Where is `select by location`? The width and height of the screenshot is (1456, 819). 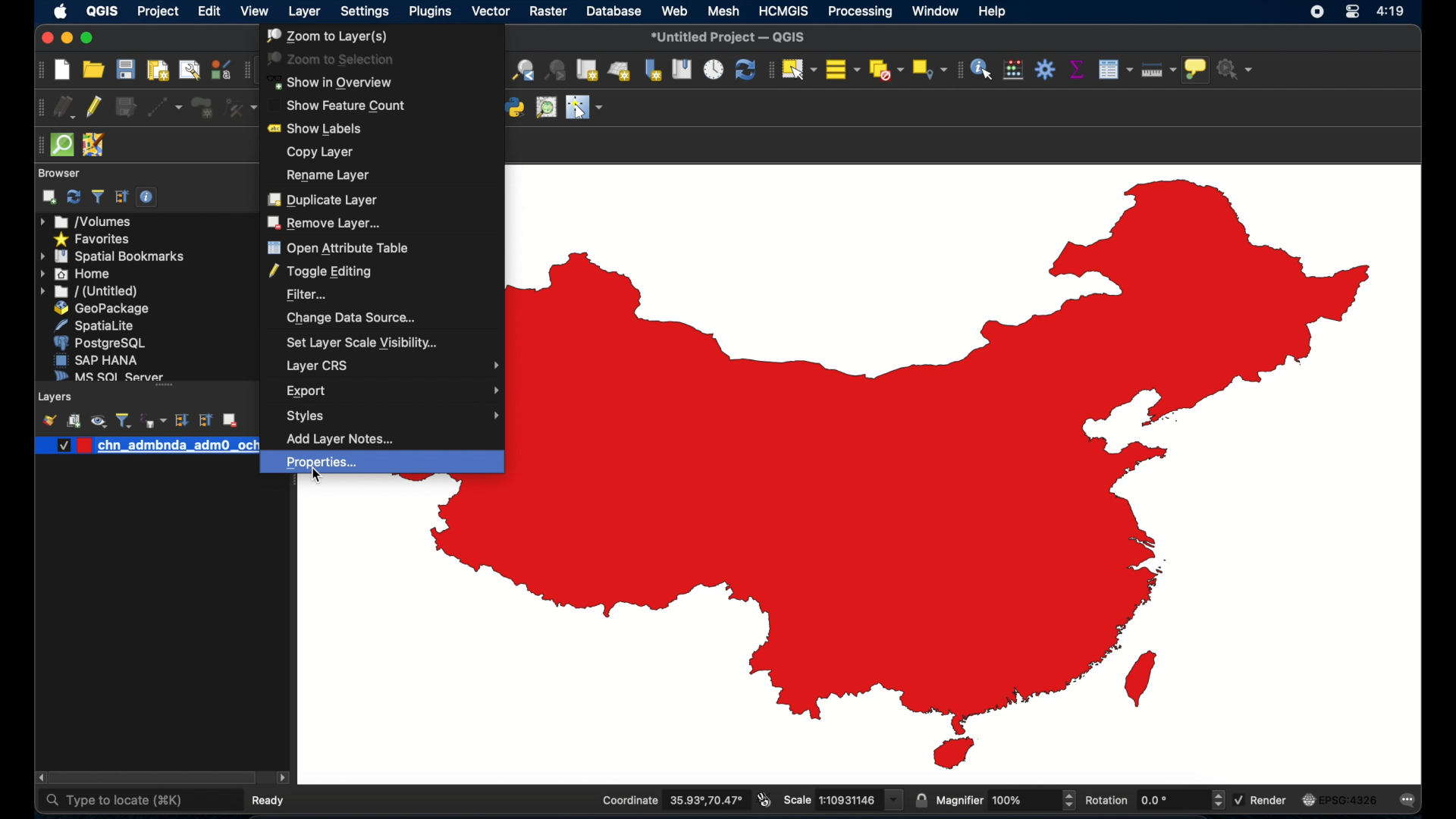
select by location is located at coordinates (927, 69).